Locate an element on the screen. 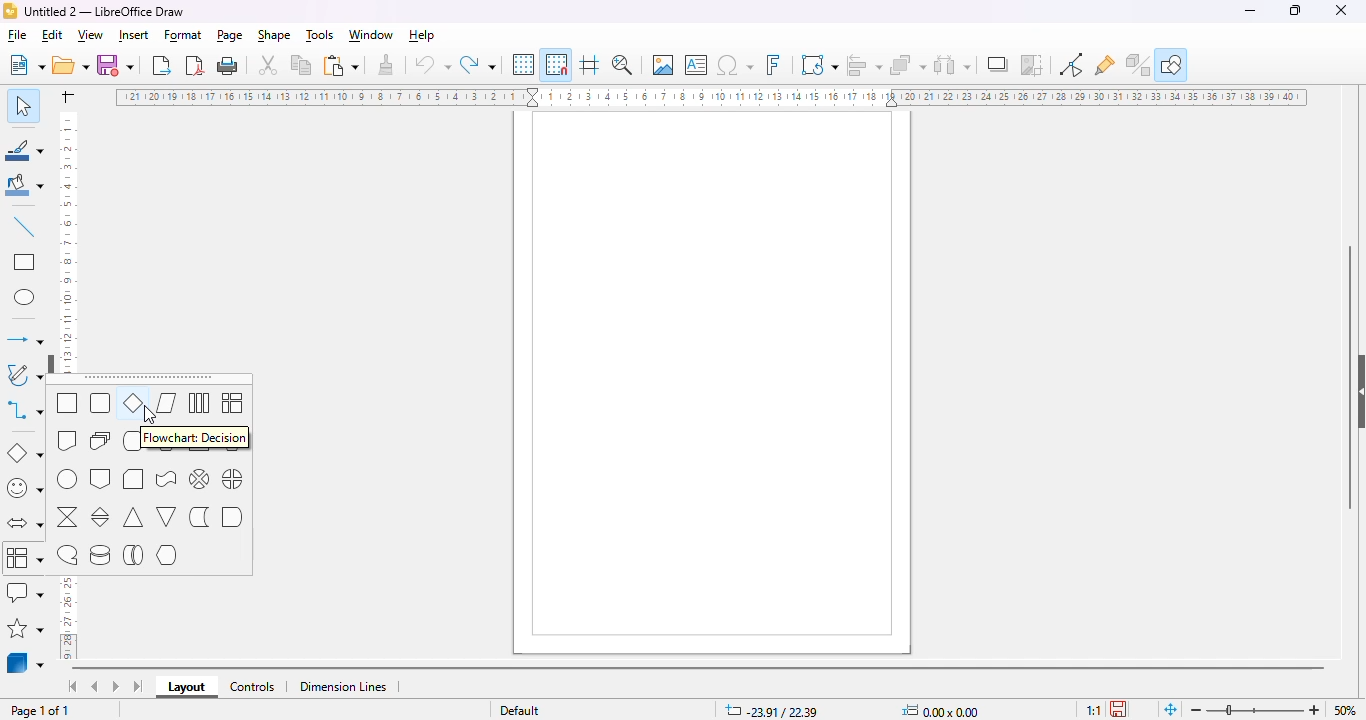 This screenshot has width=1366, height=720. flowchart: connector is located at coordinates (67, 480).